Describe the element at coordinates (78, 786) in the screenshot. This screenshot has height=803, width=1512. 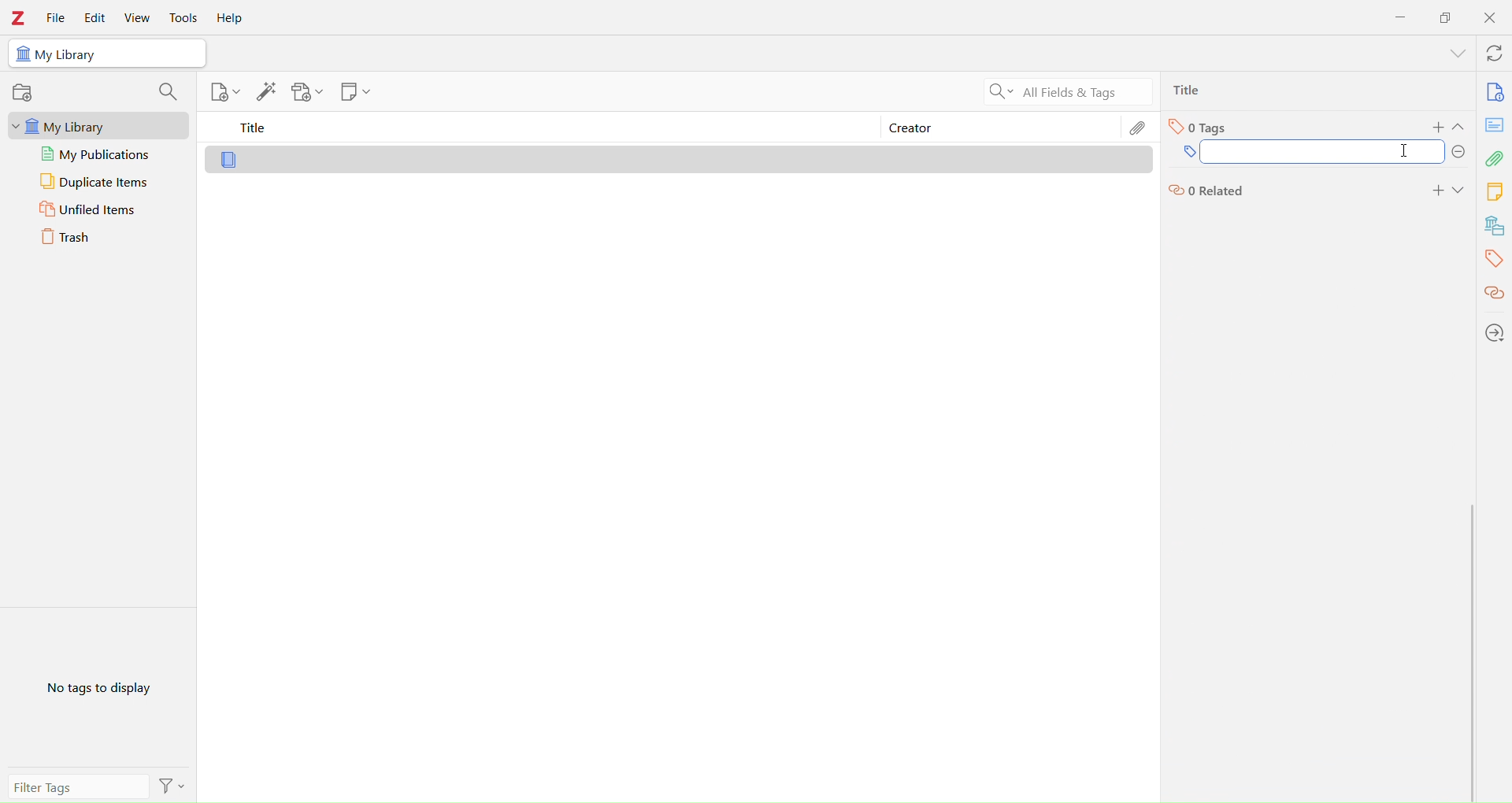
I see `Filter Tags` at that location.